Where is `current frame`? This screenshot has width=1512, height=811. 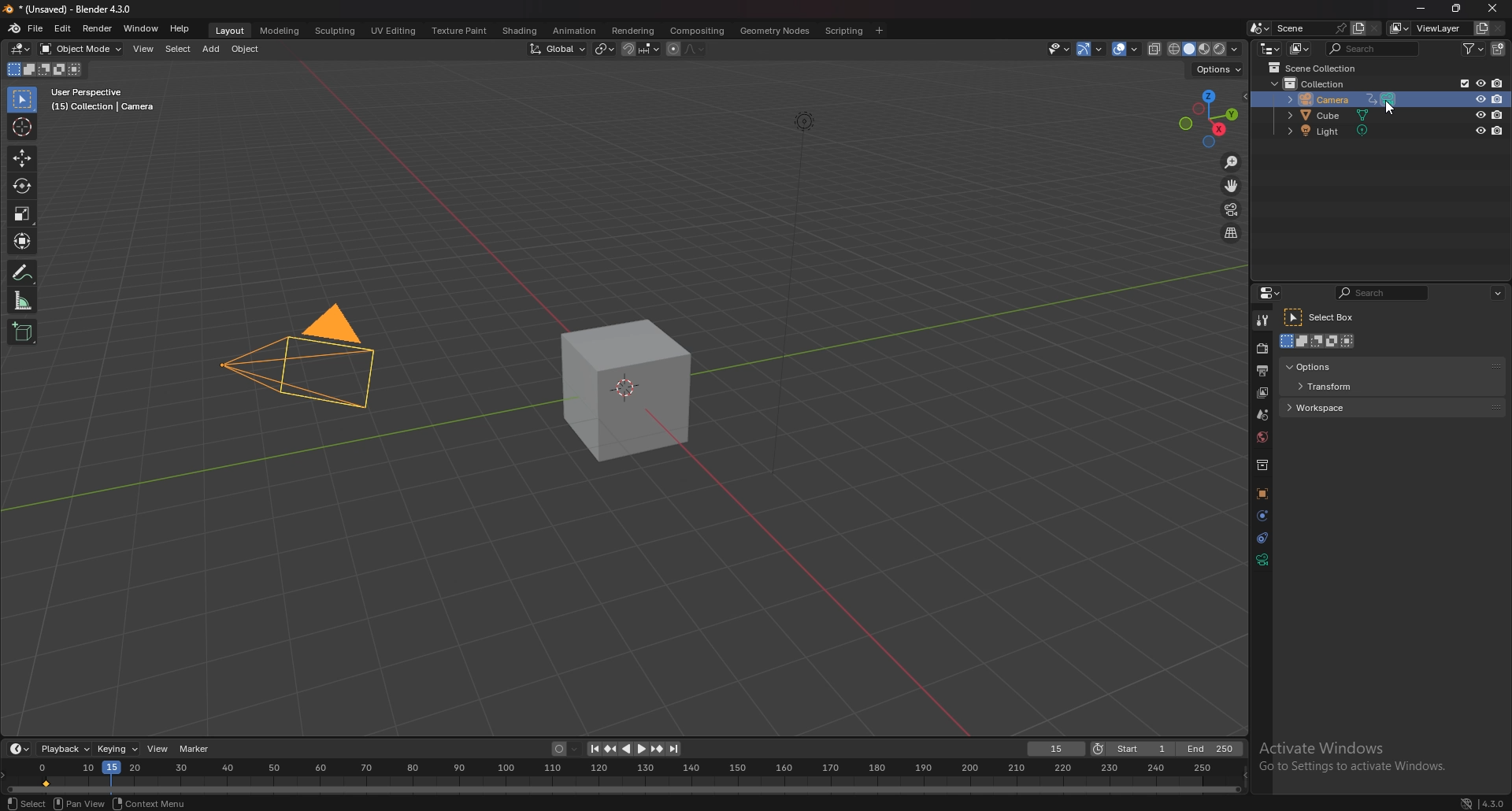
current frame is located at coordinates (1056, 750).